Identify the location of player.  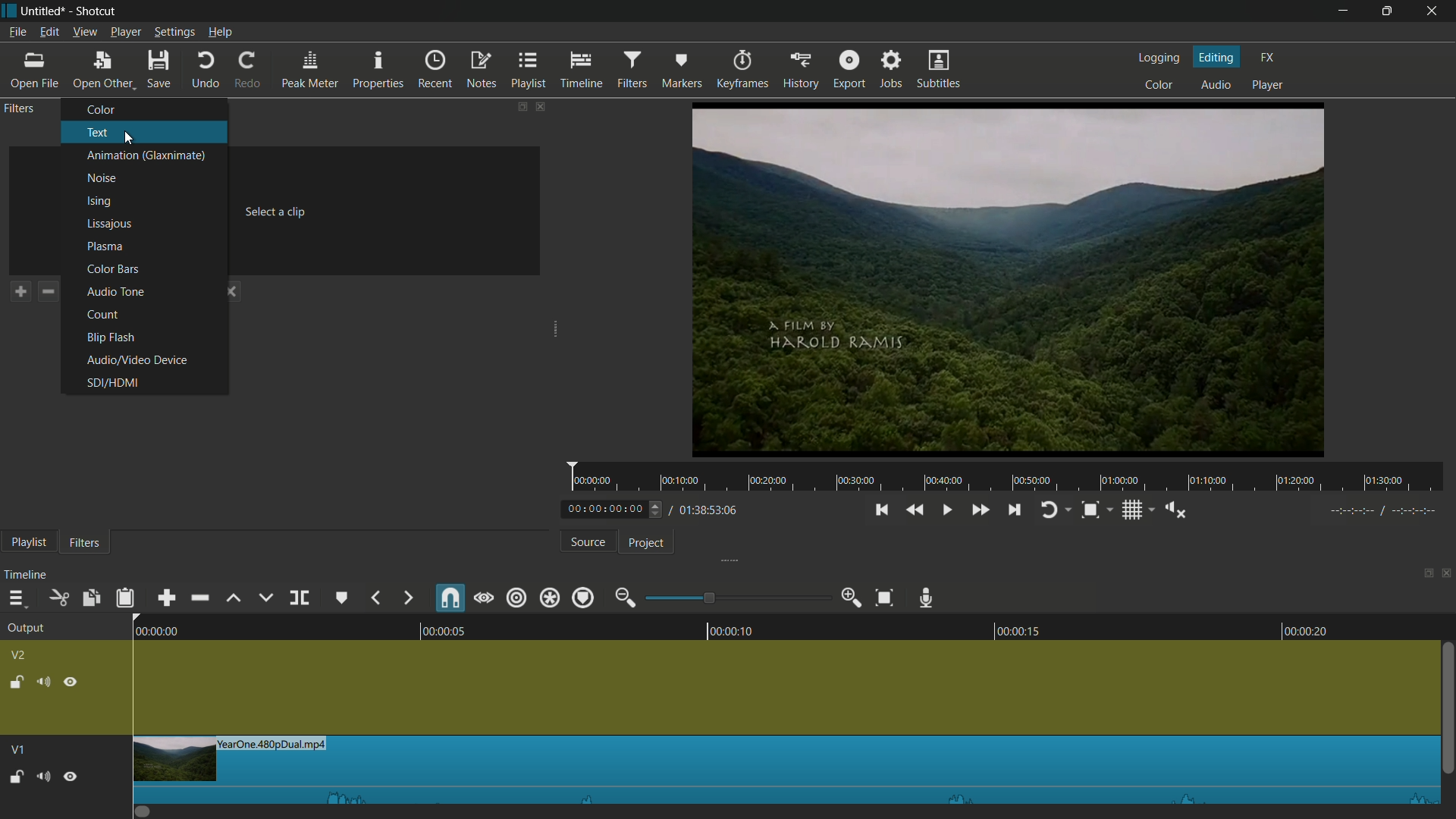
(1268, 86).